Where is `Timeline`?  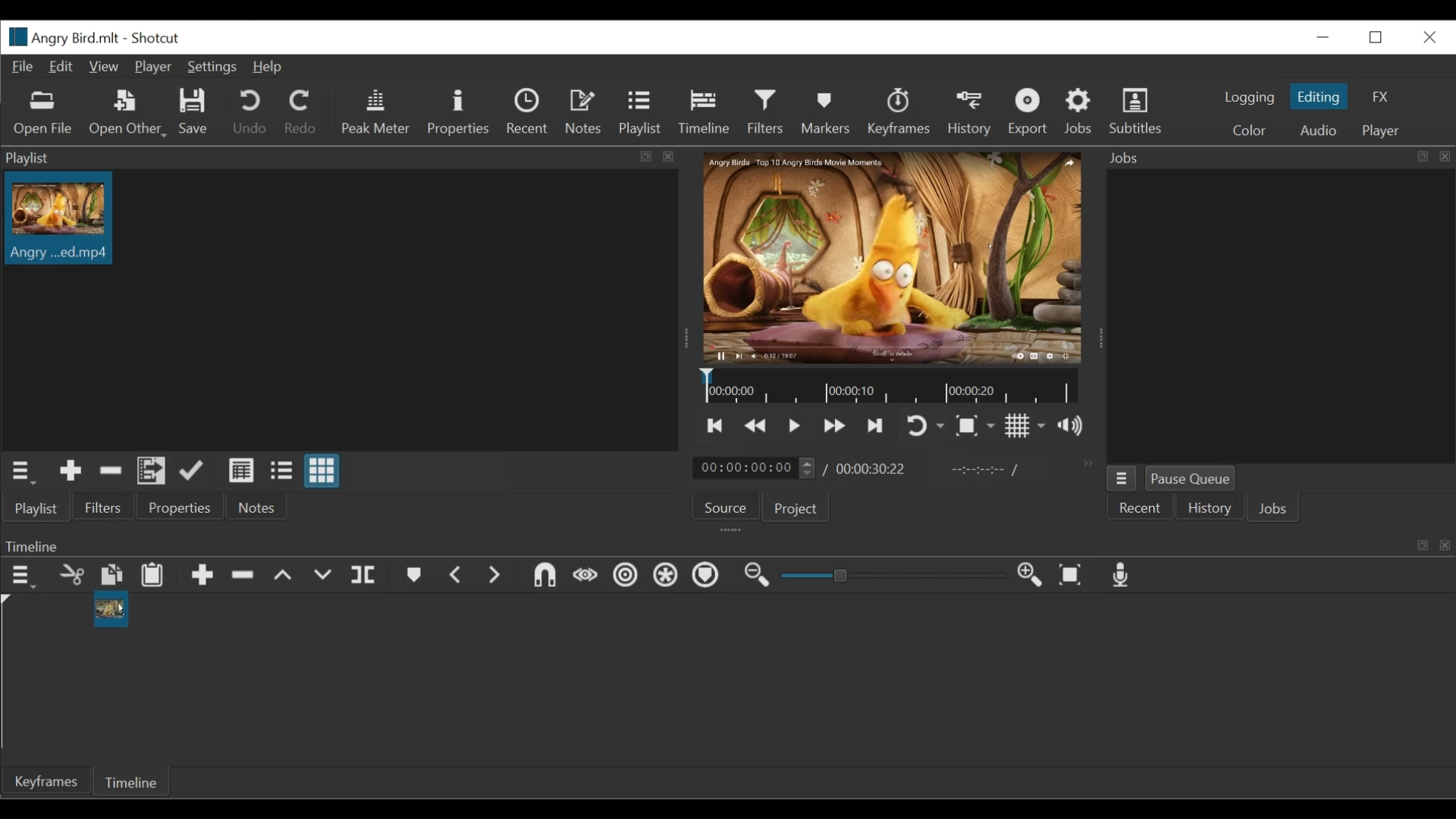
Timeline is located at coordinates (890, 387).